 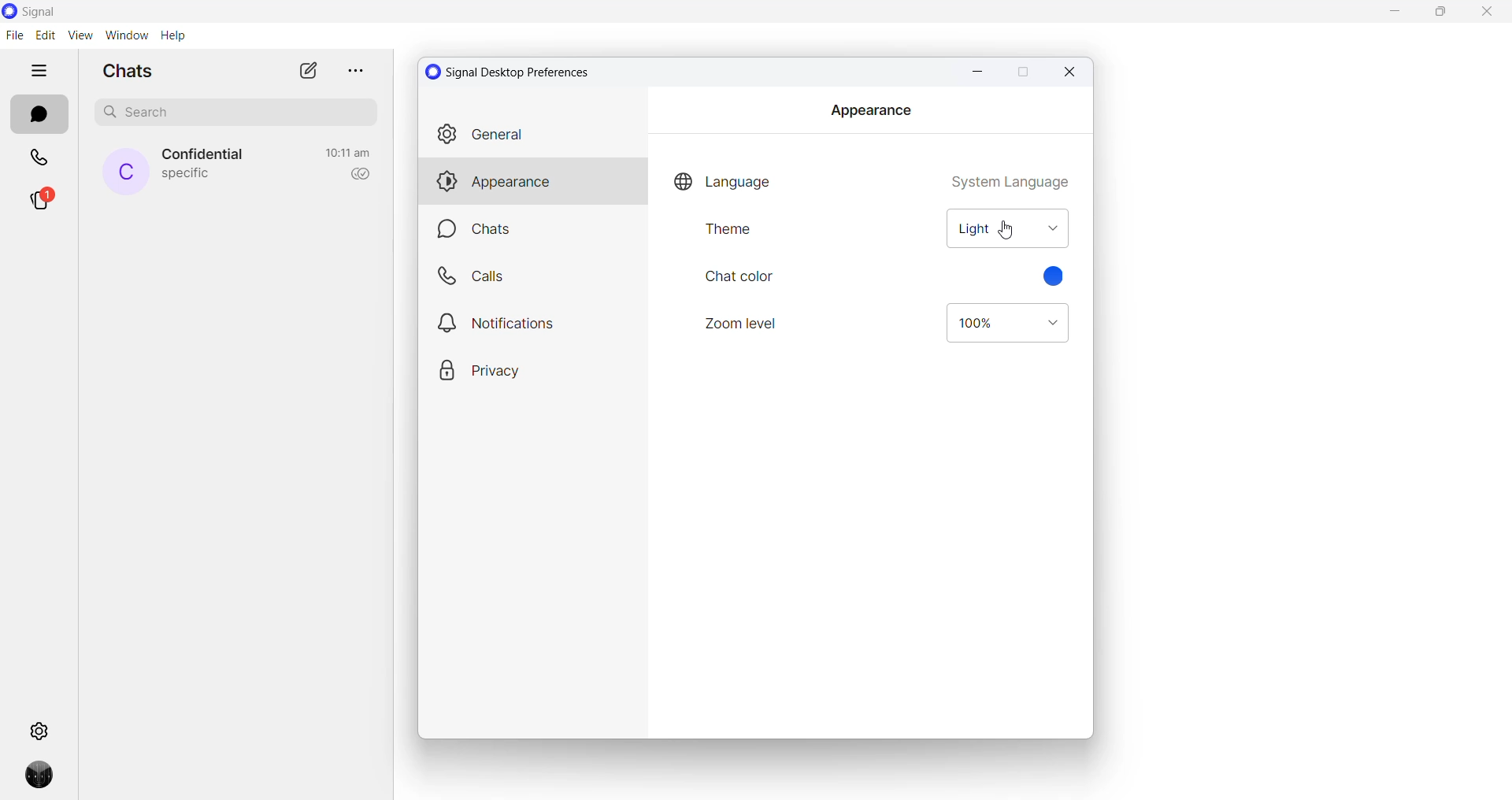 I want to click on view, so click(x=80, y=35).